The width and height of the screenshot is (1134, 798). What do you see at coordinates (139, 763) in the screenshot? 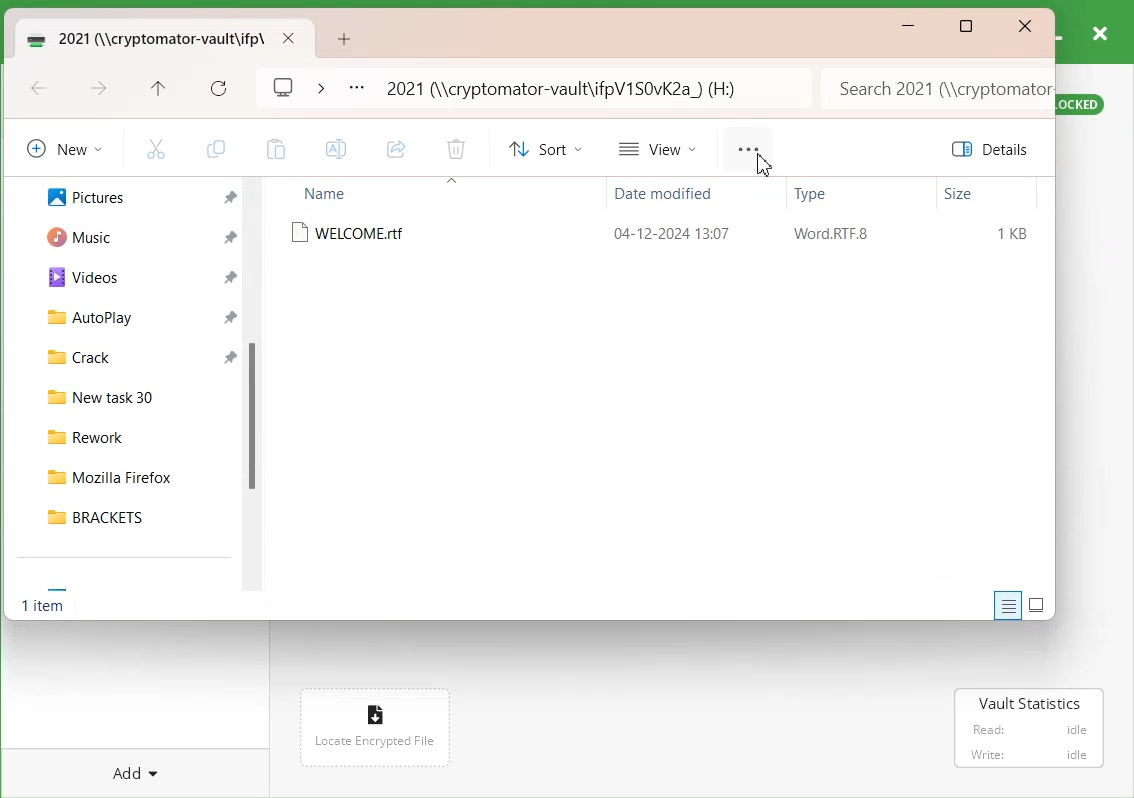
I see `Add` at bounding box center [139, 763].